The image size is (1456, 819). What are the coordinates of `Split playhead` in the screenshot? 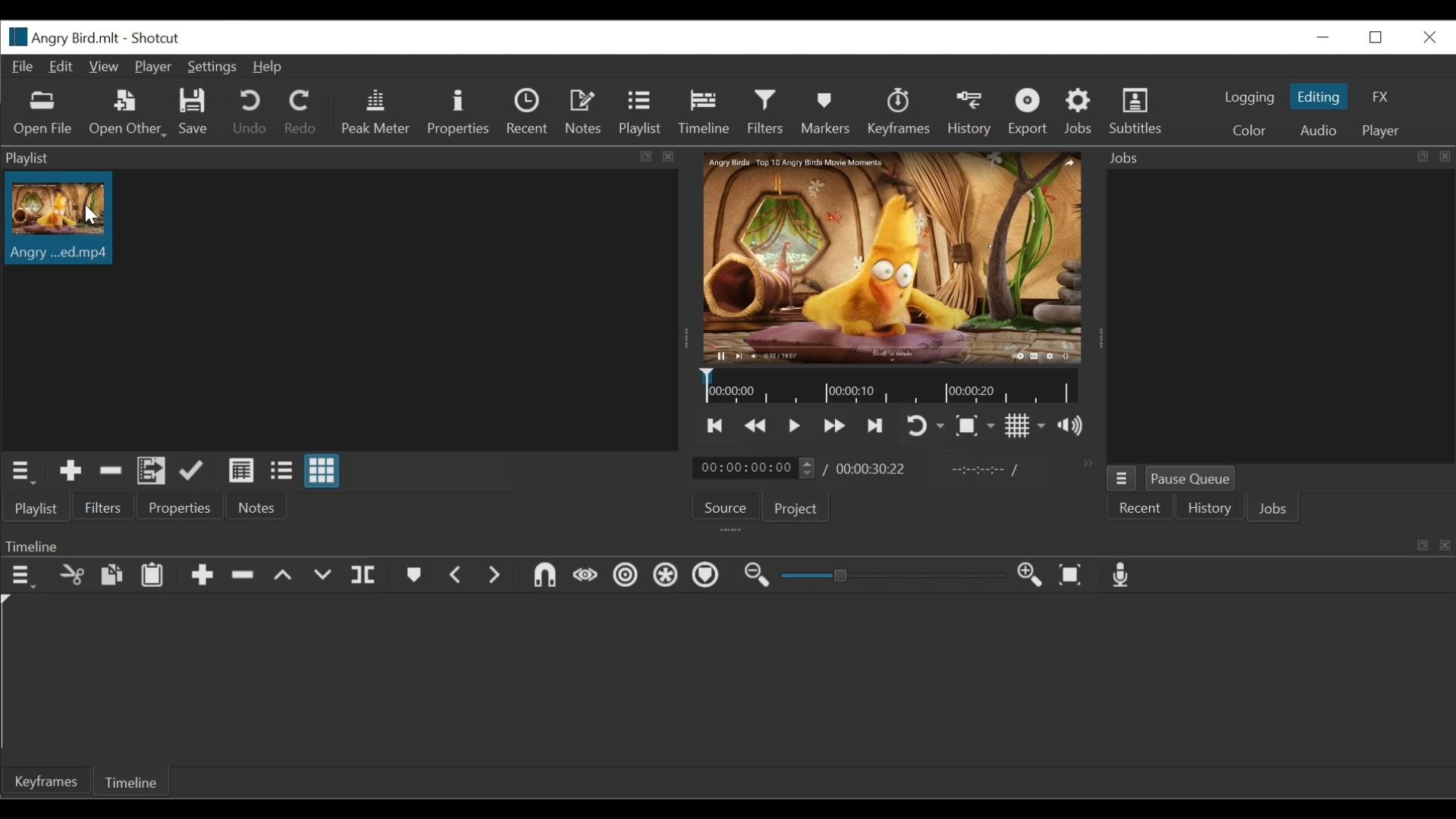 It's located at (366, 576).